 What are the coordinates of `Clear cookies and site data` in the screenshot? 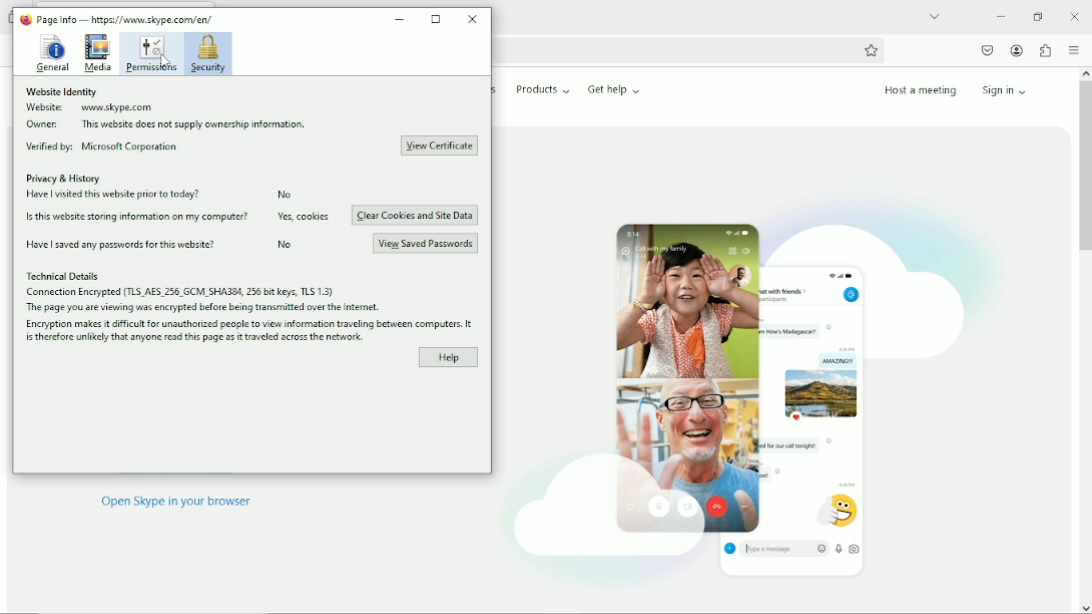 It's located at (414, 216).